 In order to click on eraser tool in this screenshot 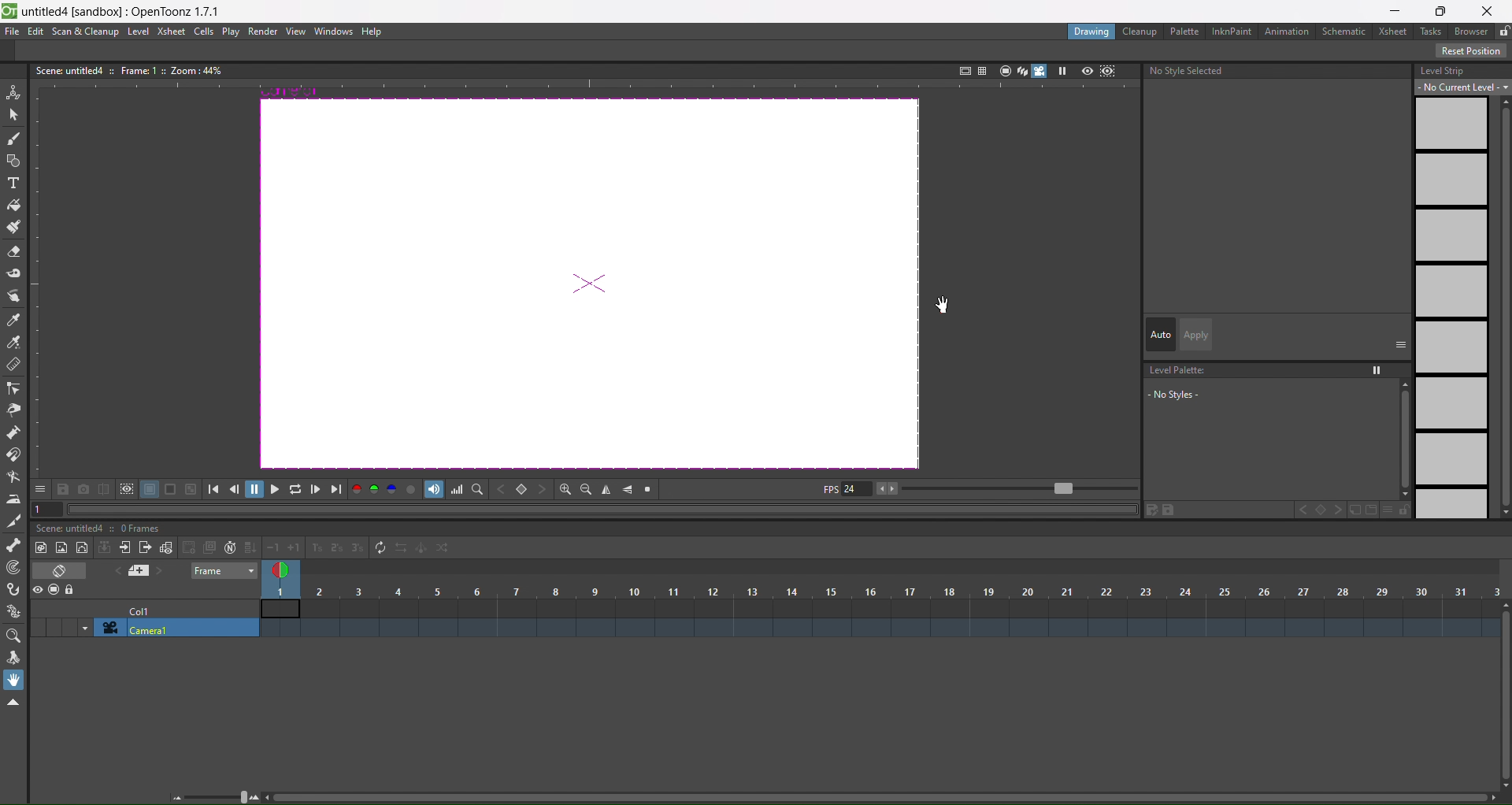, I will do `click(14, 253)`.